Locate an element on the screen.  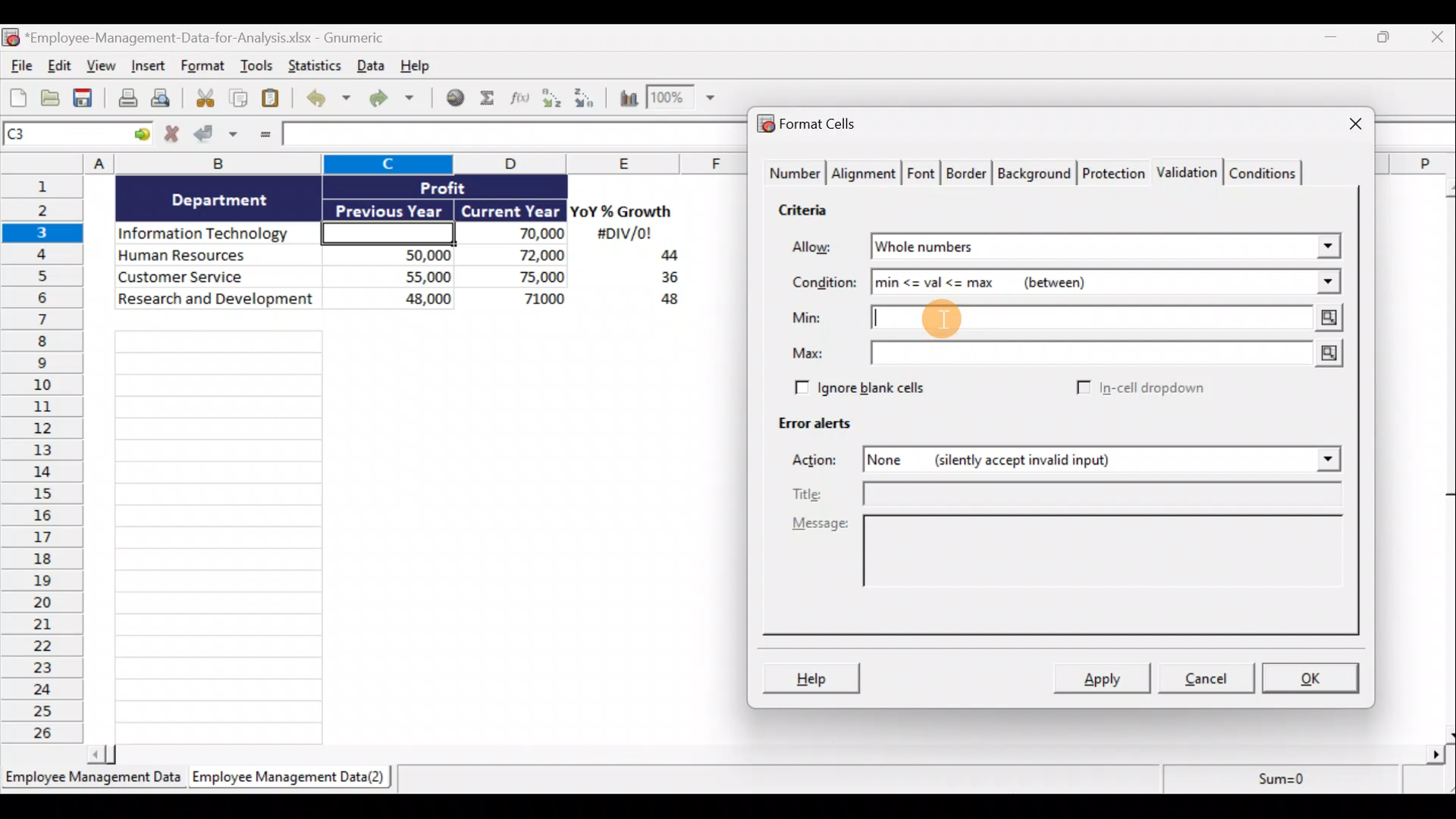
Research and development is located at coordinates (217, 300).